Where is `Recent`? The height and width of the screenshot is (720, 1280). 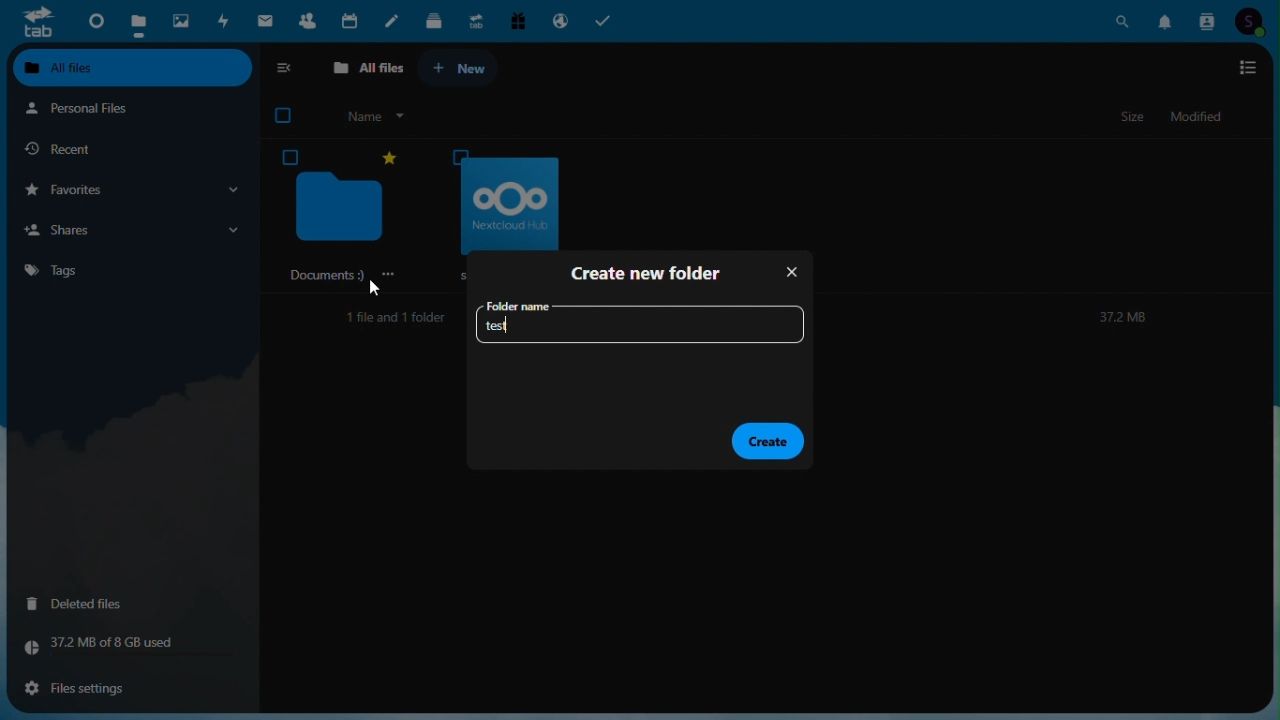
Recent is located at coordinates (125, 152).